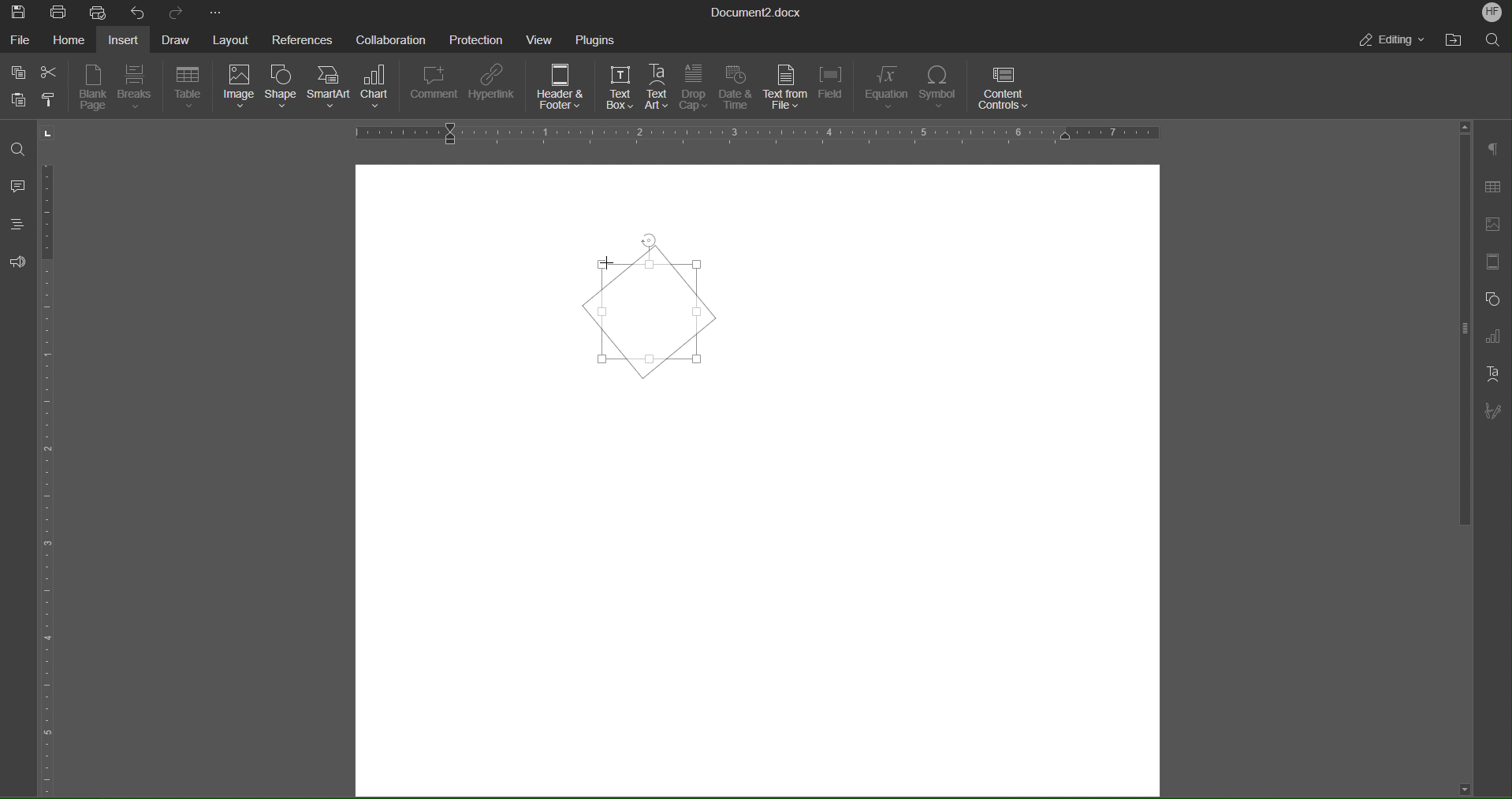 The height and width of the screenshot is (799, 1512). Describe the element at coordinates (1490, 262) in the screenshot. I see `Header/Footer` at that location.